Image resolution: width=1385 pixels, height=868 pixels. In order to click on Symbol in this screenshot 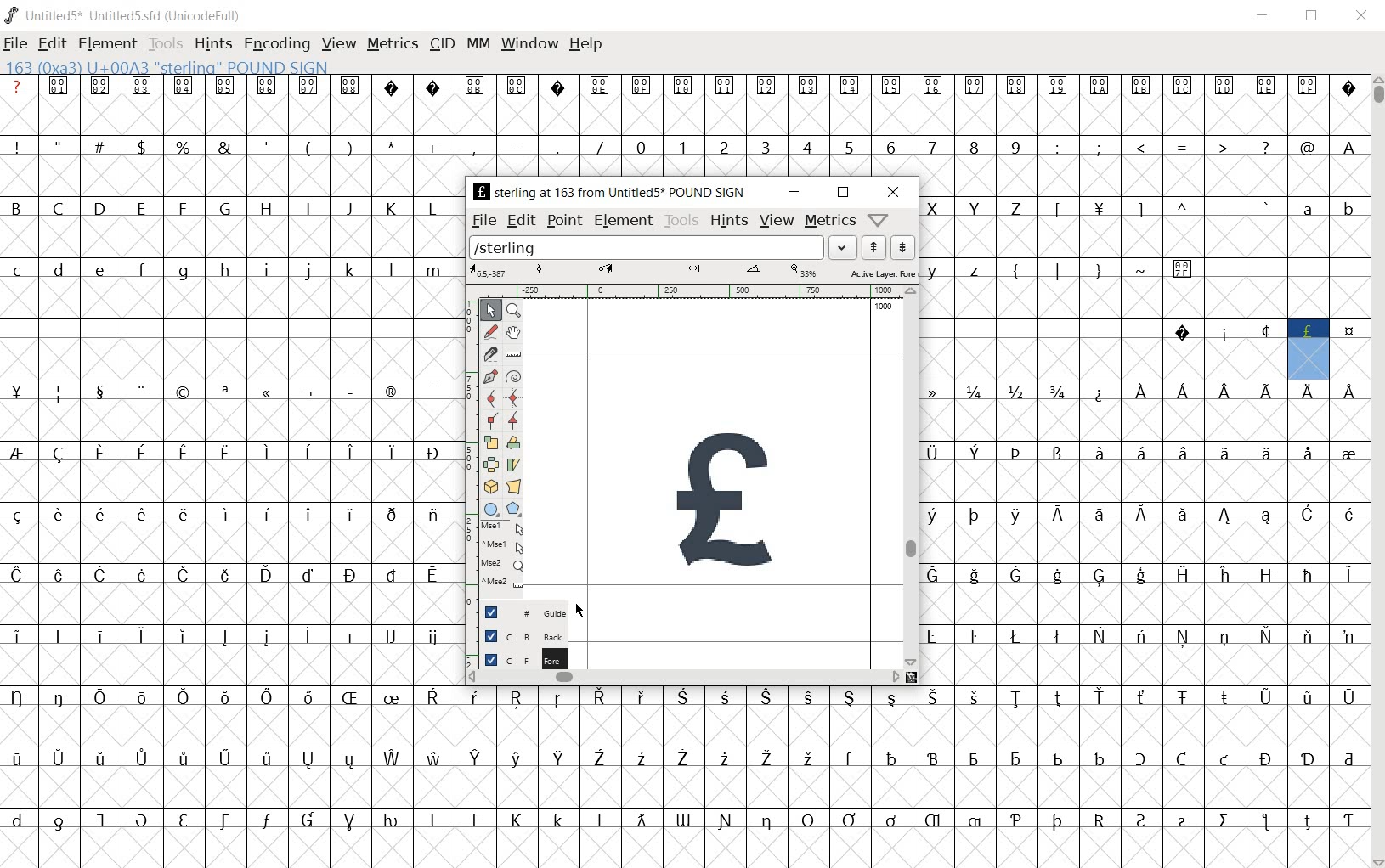, I will do `click(517, 84)`.